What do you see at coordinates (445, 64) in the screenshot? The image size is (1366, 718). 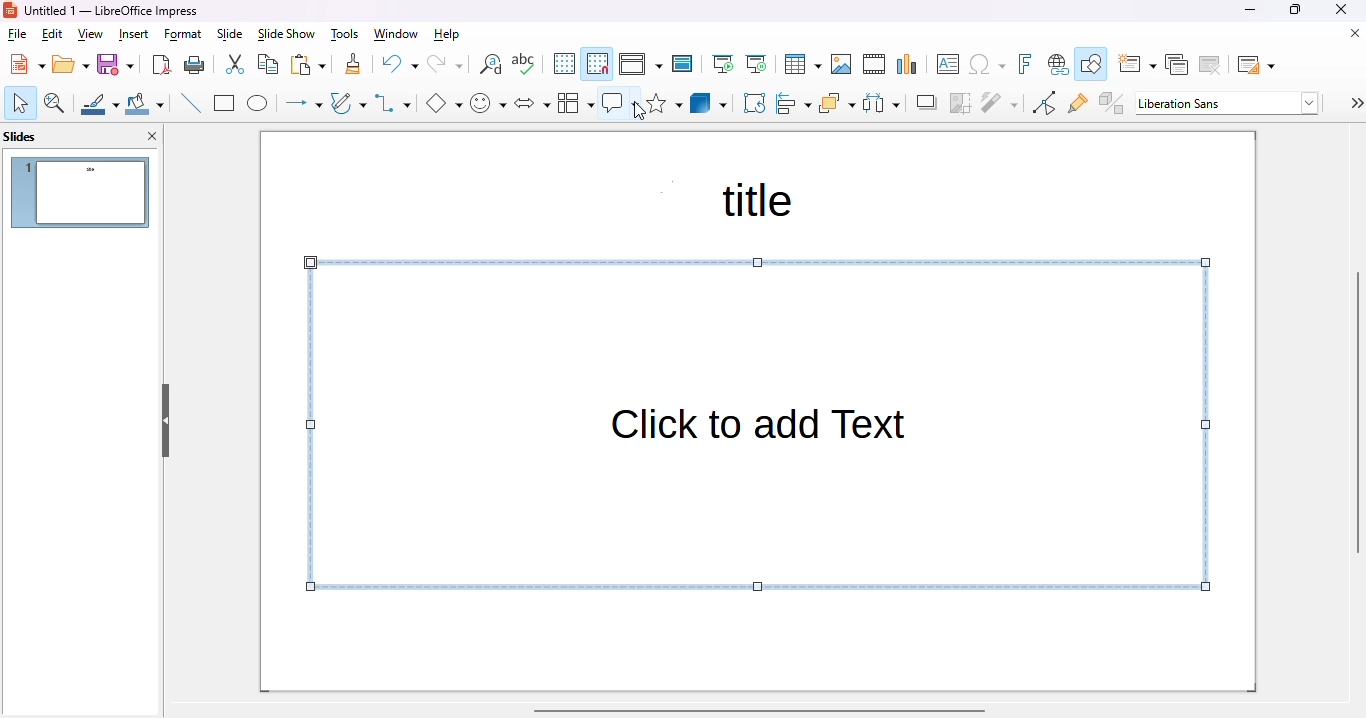 I see `redo` at bounding box center [445, 64].